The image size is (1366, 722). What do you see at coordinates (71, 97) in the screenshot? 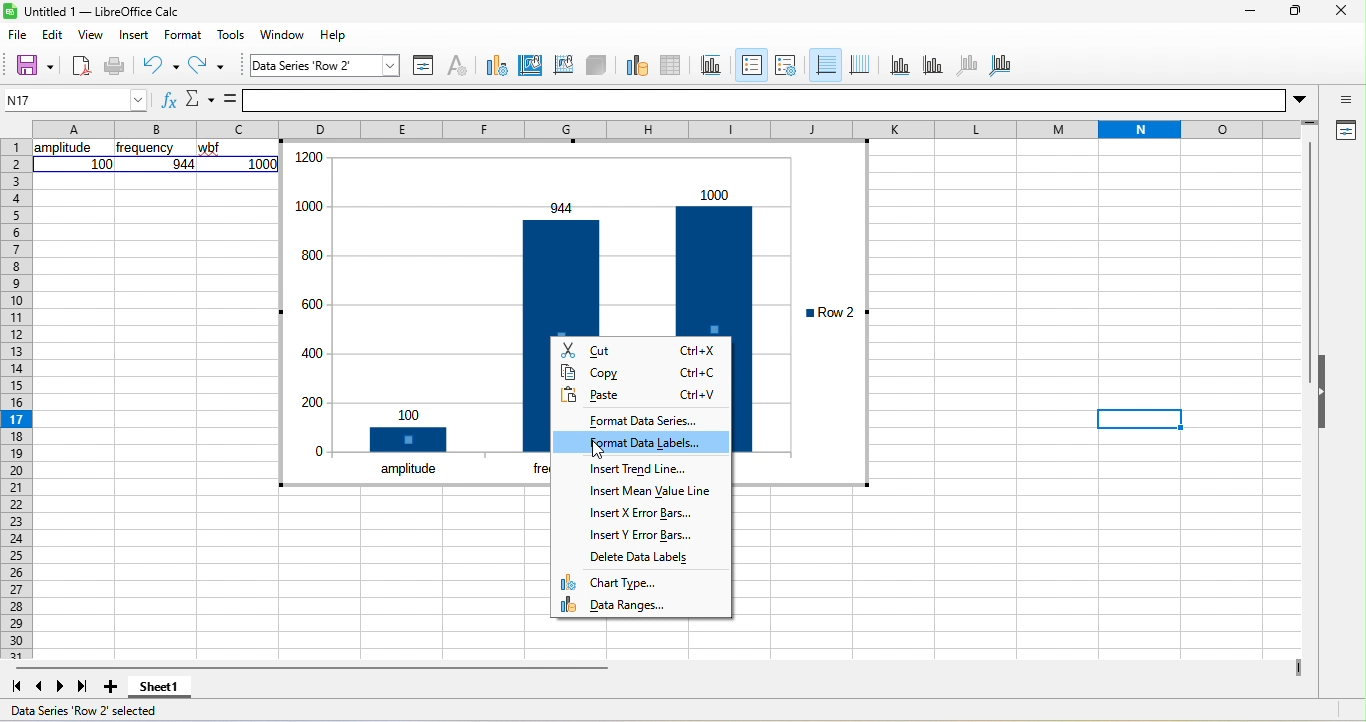
I see `N17` at bounding box center [71, 97].